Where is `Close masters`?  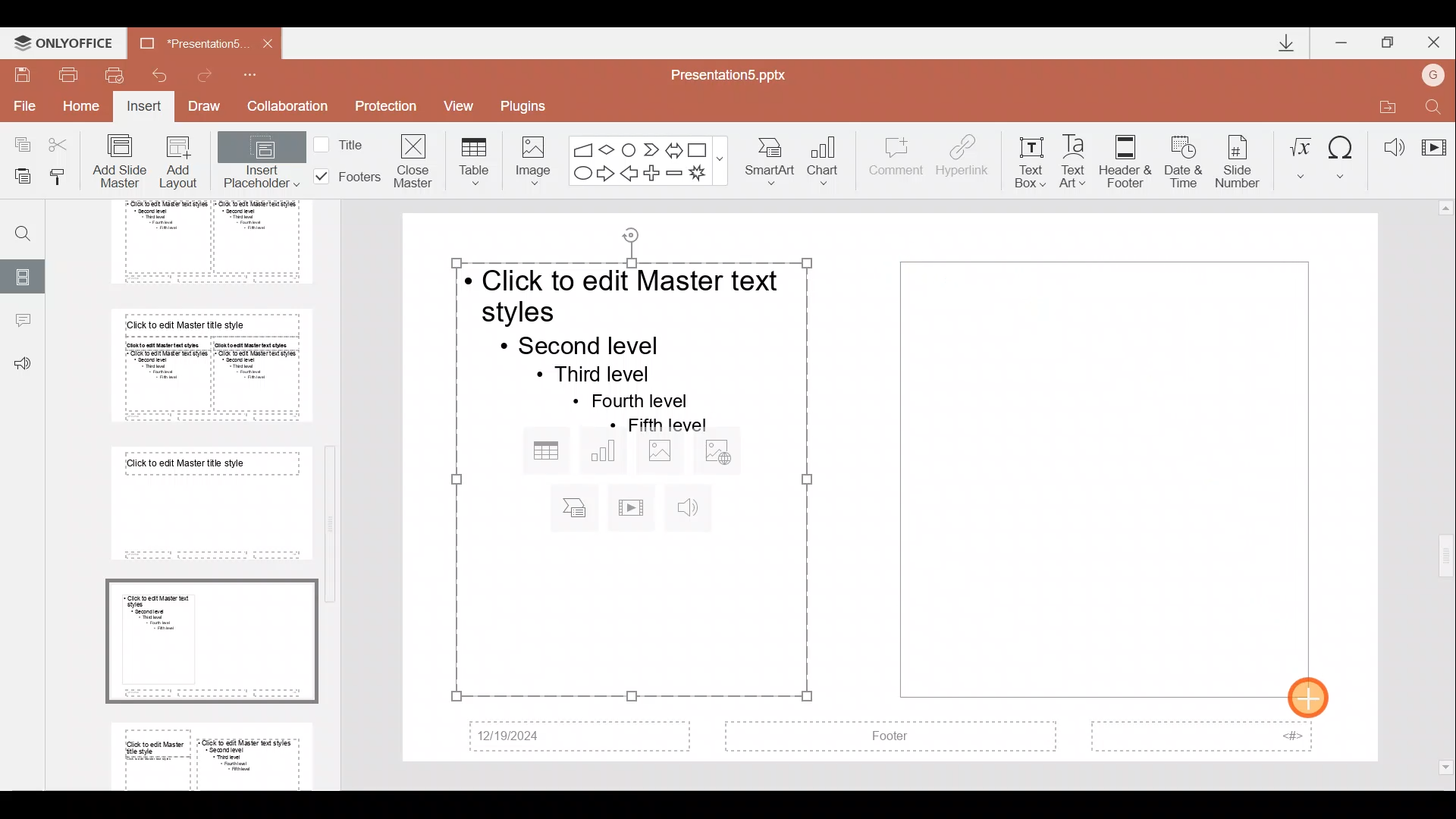 Close masters is located at coordinates (415, 160).